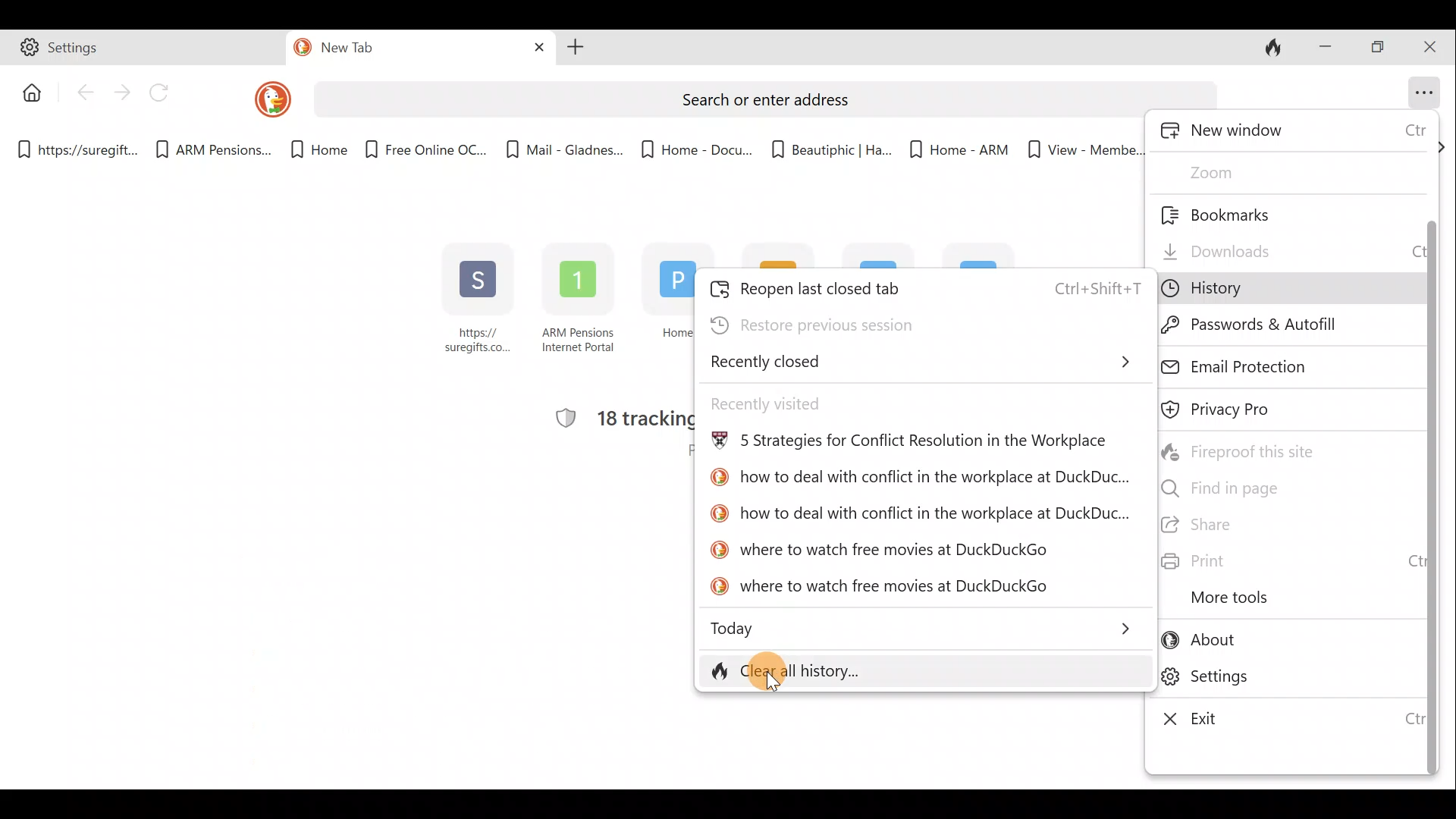  I want to click on Restore previous session, so click(862, 323).